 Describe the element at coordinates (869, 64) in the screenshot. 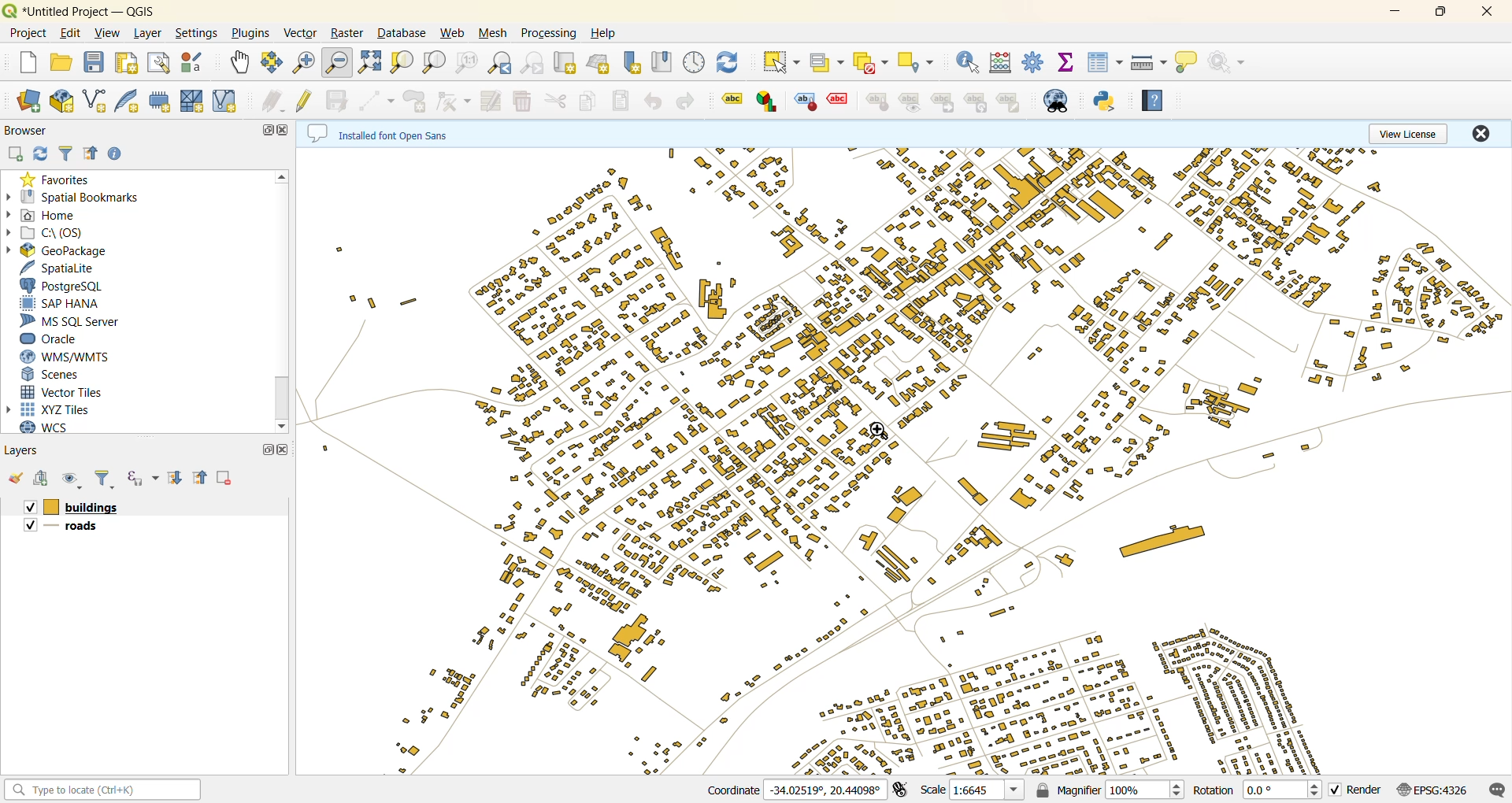

I see `deselect value` at that location.